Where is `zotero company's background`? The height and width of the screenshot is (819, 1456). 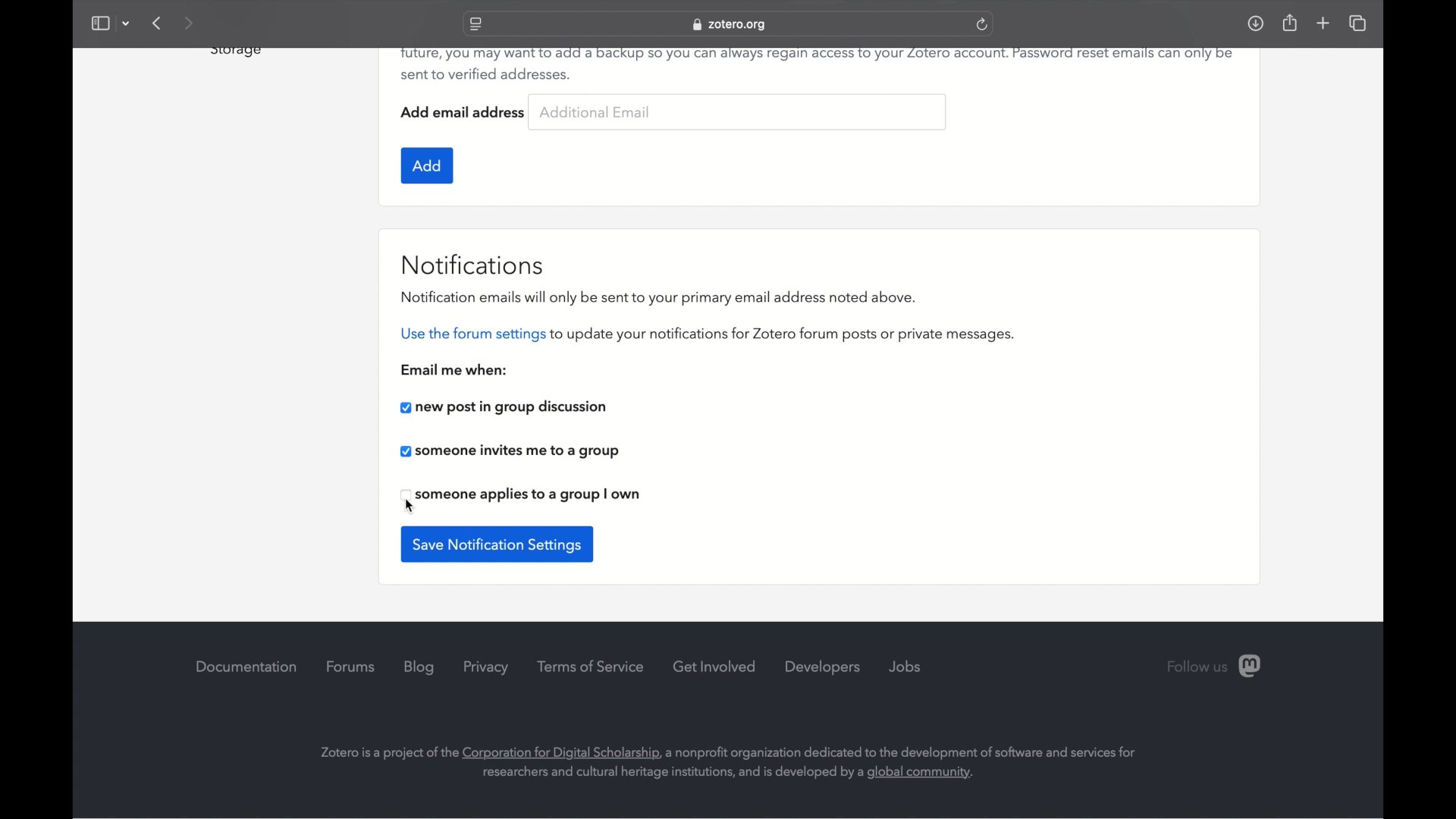
zotero company's background is located at coordinates (729, 761).